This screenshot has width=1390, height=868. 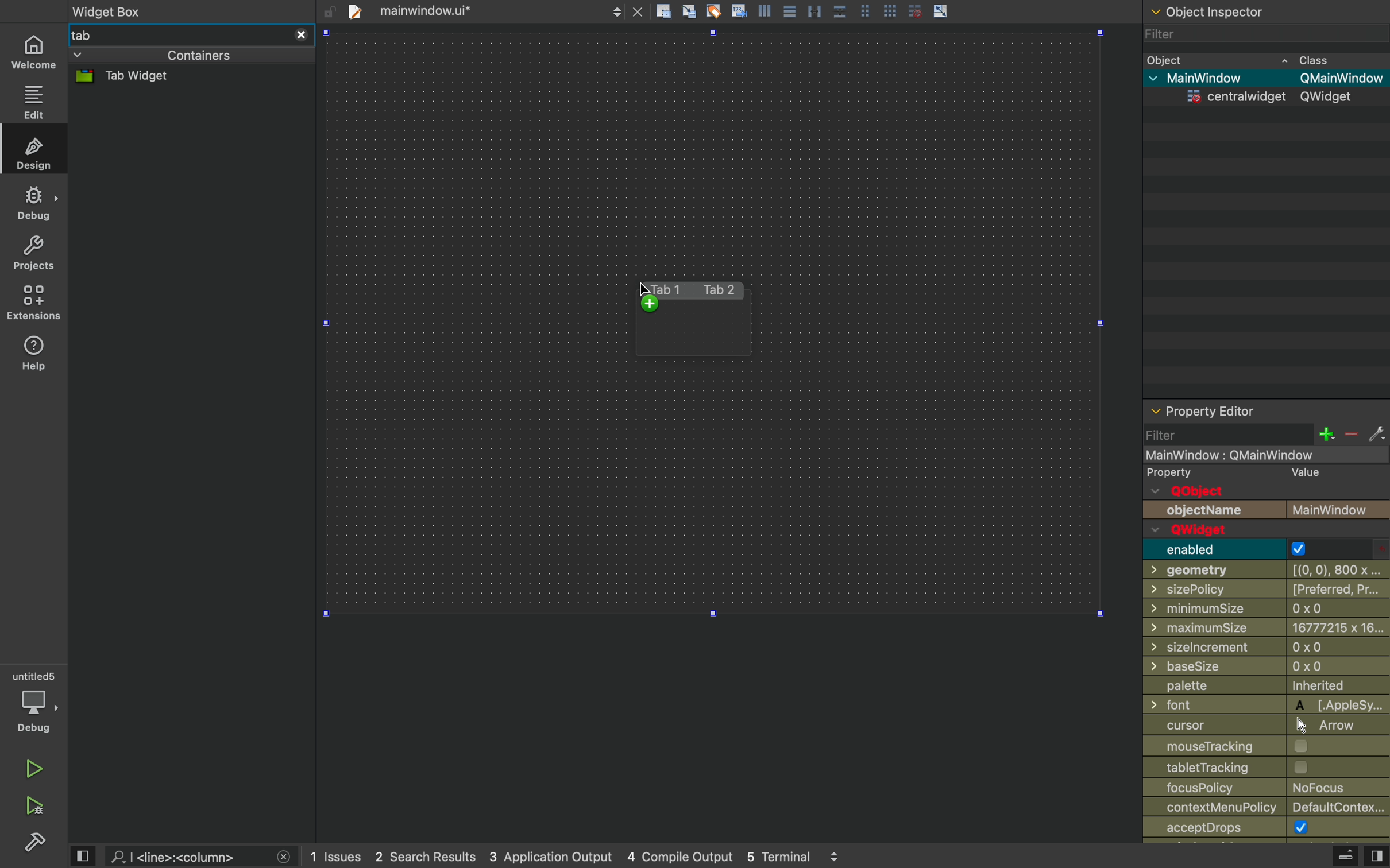 What do you see at coordinates (1266, 629) in the screenshot?
I see `minimum size` at bounding box center [1266, 629].